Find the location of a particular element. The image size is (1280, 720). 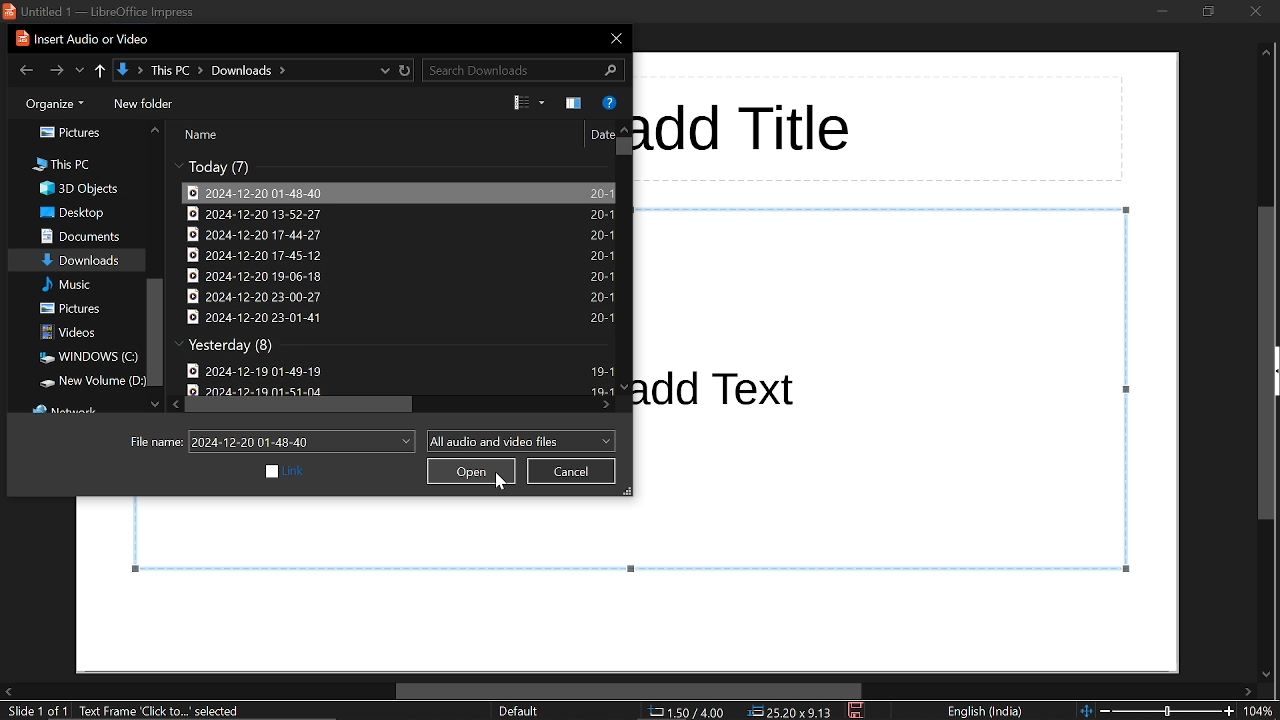

file name is located at coordinates (154, 442).